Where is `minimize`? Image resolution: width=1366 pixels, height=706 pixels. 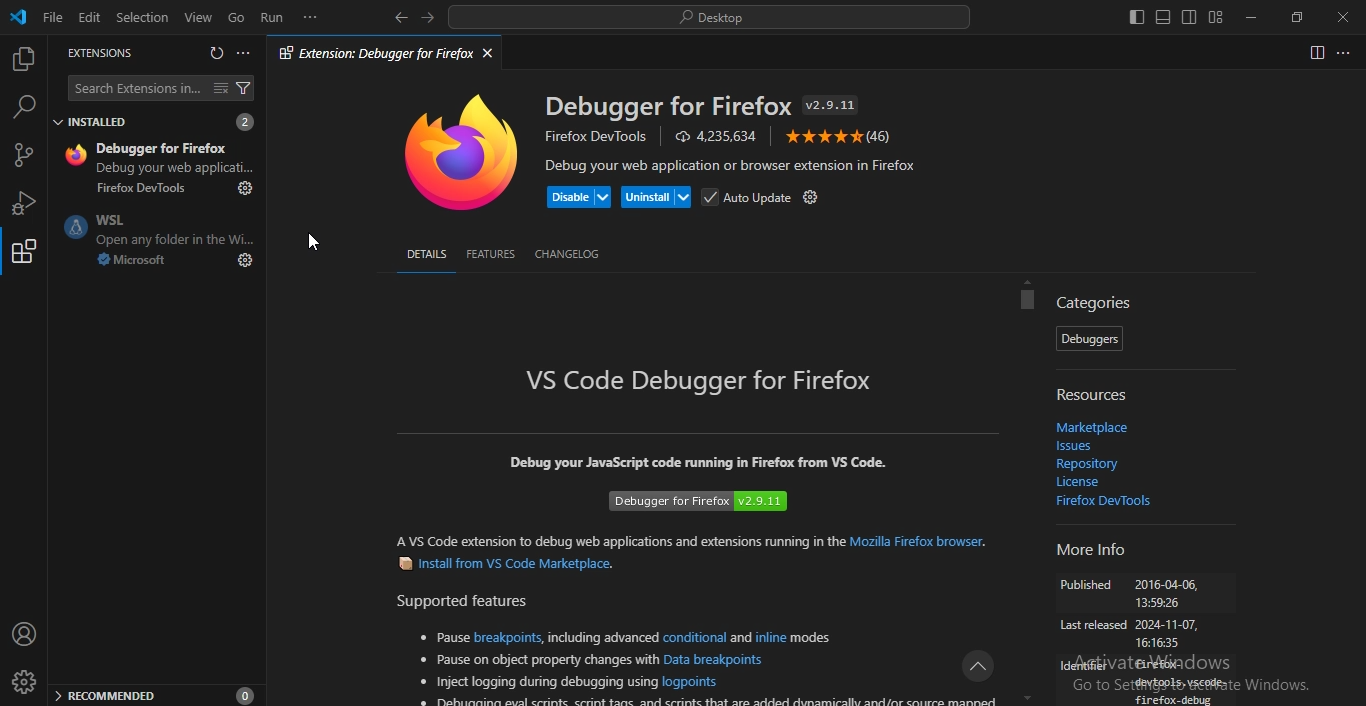
minimize is located at coordinates (1251, 19).